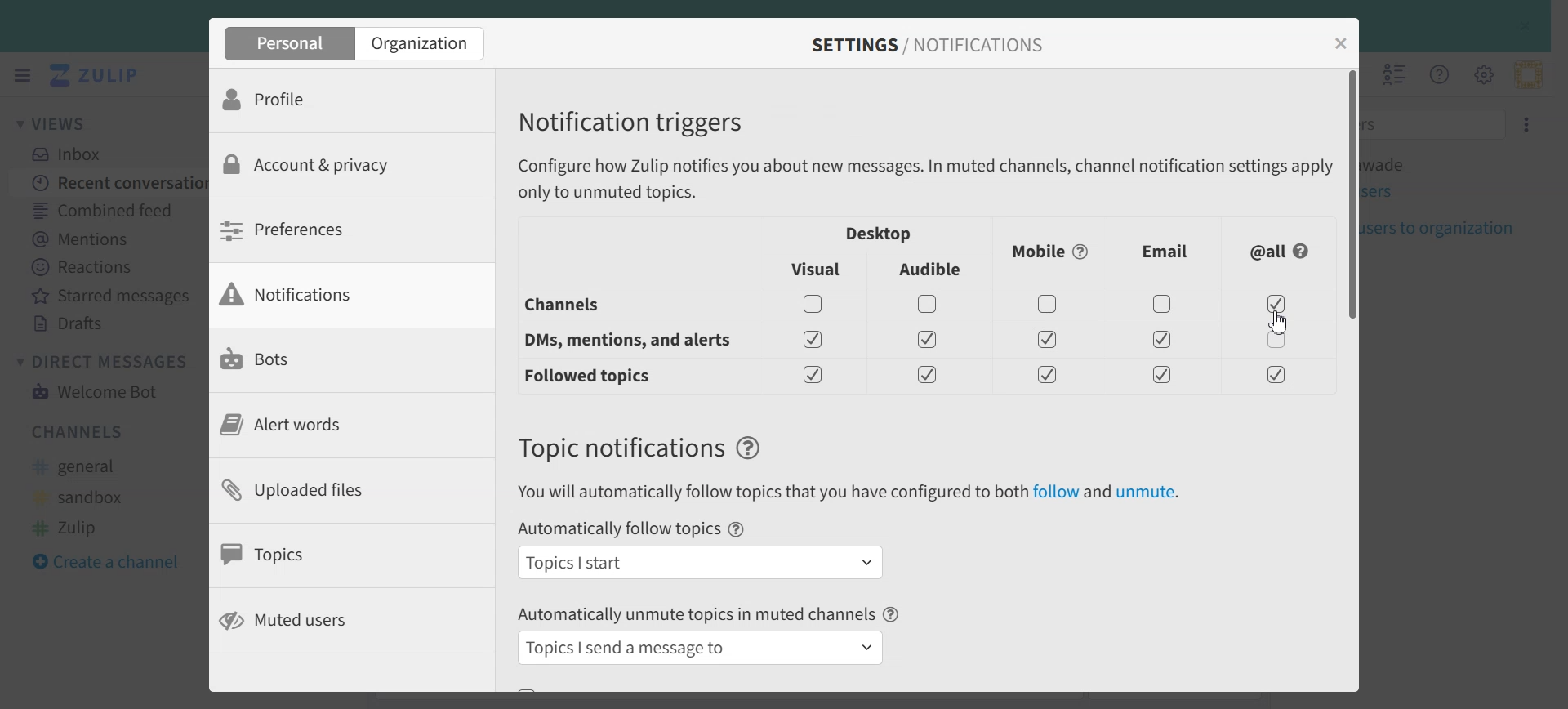 The height and width of the screenshot is (709, 1568). What do you see at coordinates (617, 529) in the screenshot?
I see `Automatically follow topics` at bounding box center [617, 529].